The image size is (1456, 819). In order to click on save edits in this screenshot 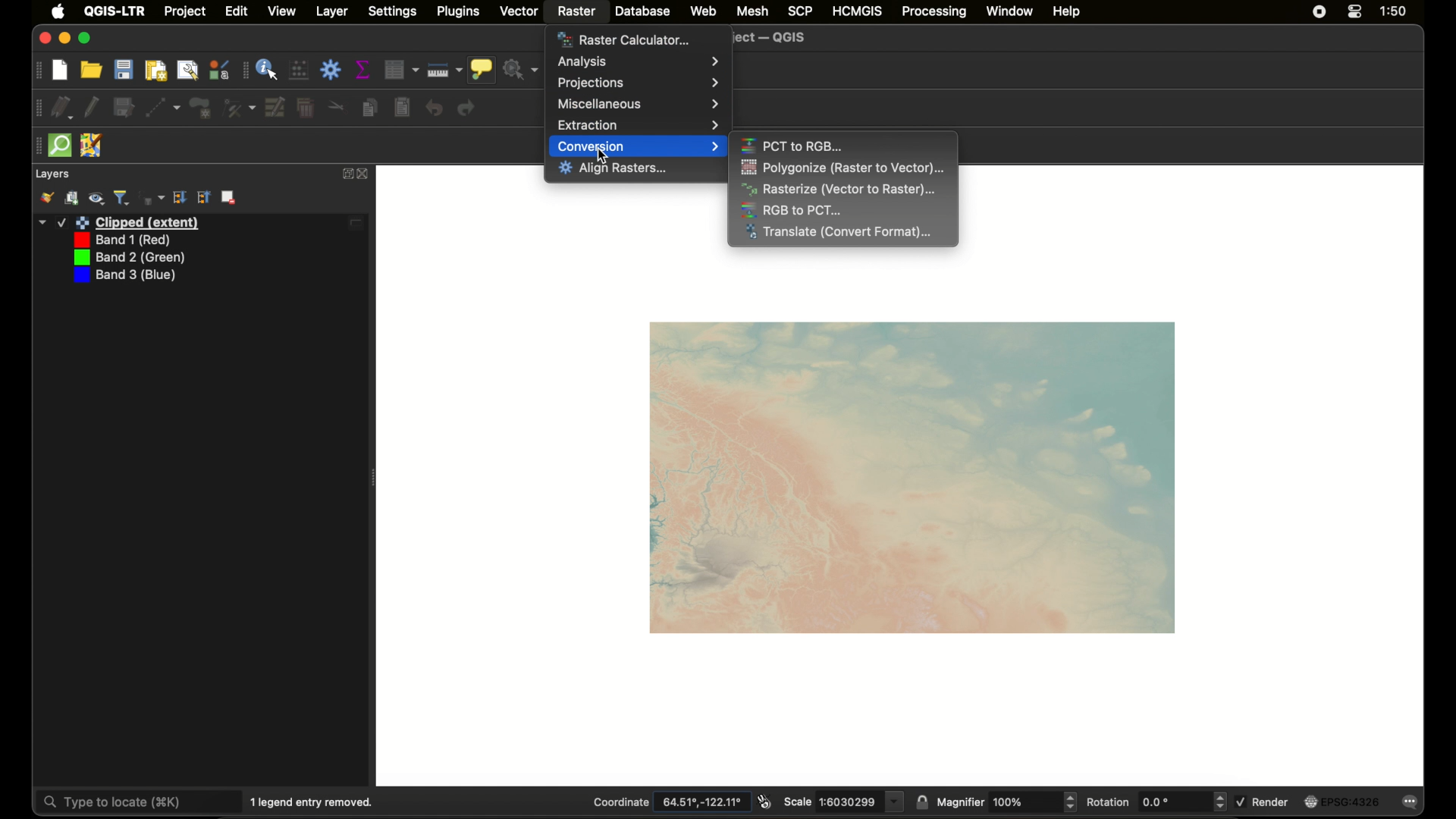, I will do `click(124, 108)`.